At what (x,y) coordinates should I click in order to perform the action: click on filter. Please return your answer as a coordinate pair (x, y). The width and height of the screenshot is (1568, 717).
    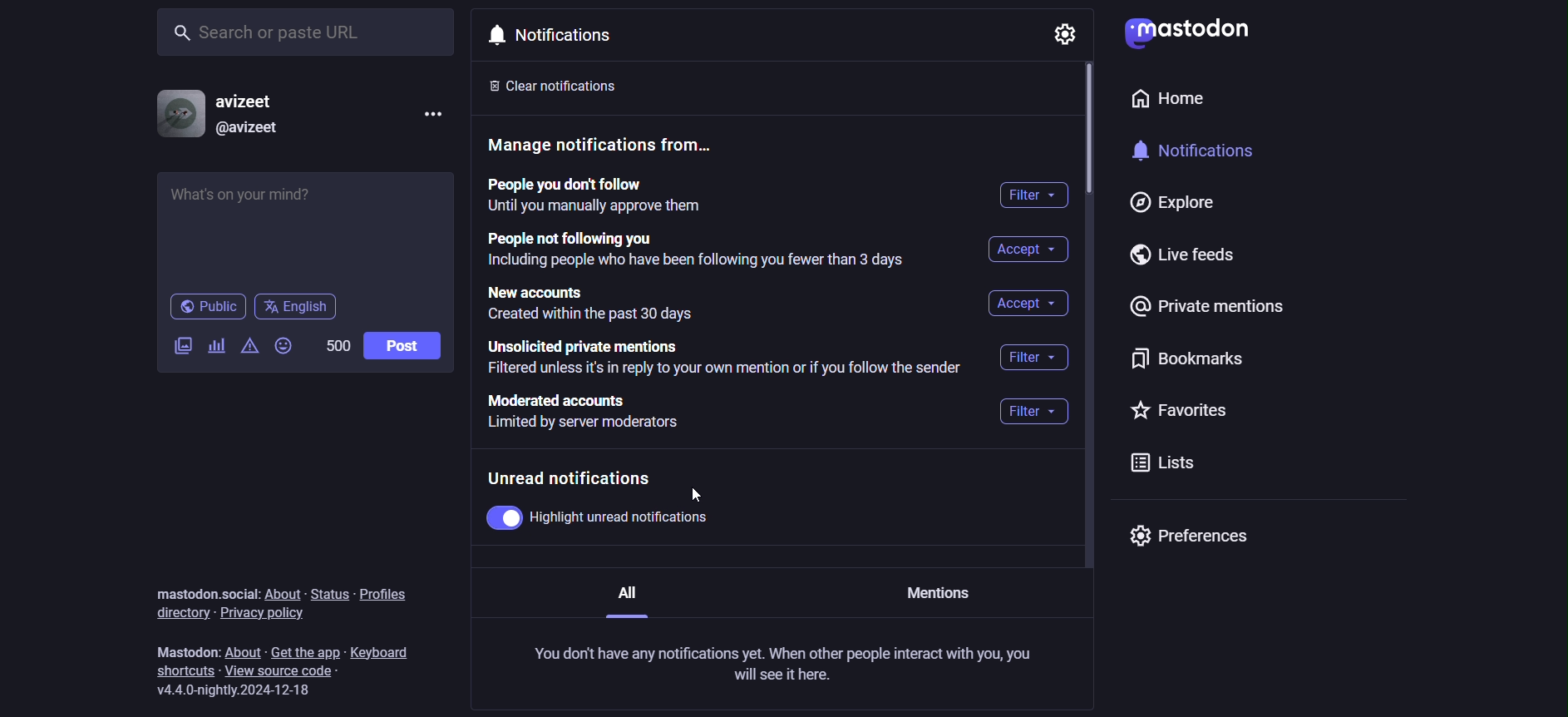
    Looking at the image, I should click on (1033, 415).